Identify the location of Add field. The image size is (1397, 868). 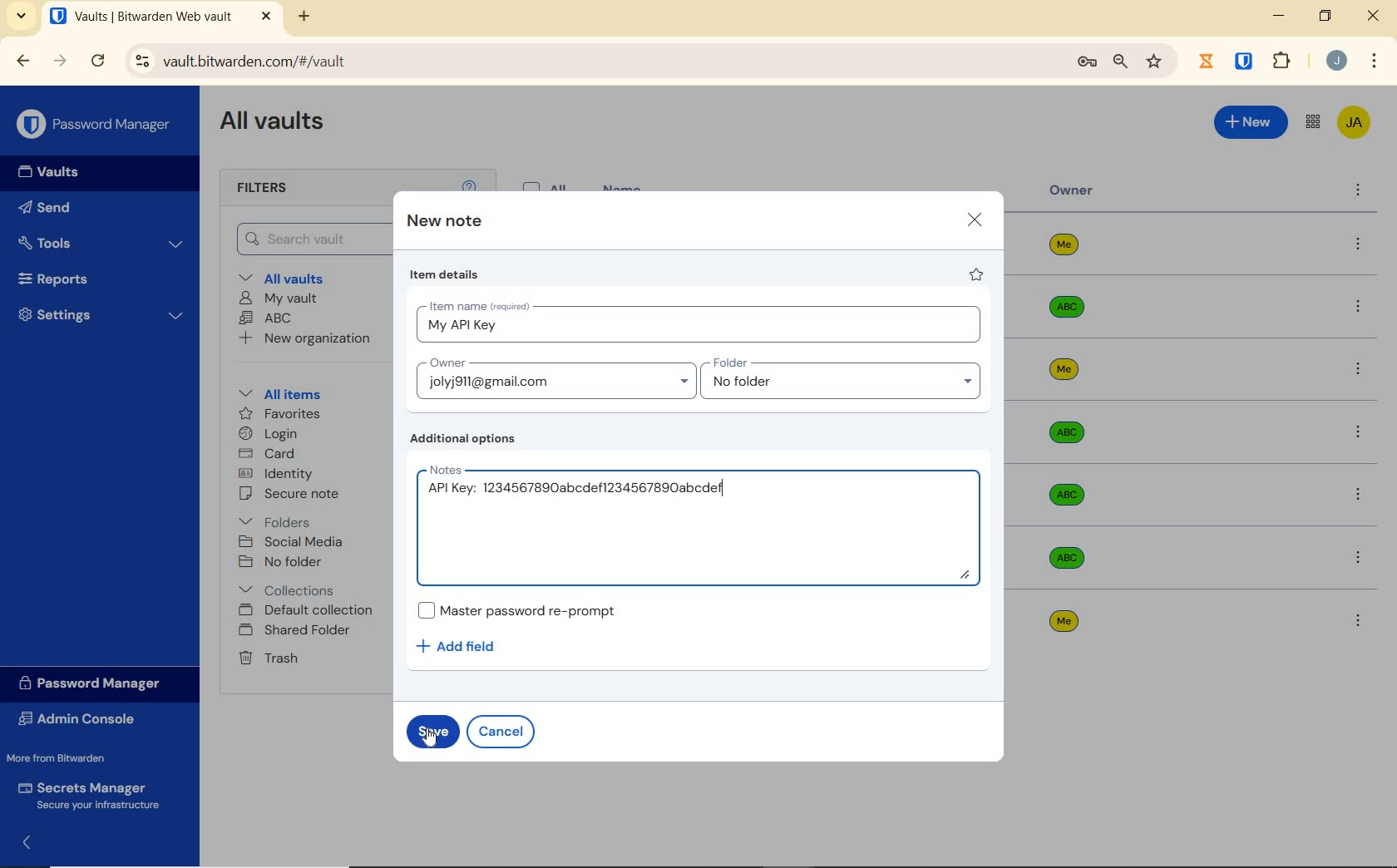
(464, 646).